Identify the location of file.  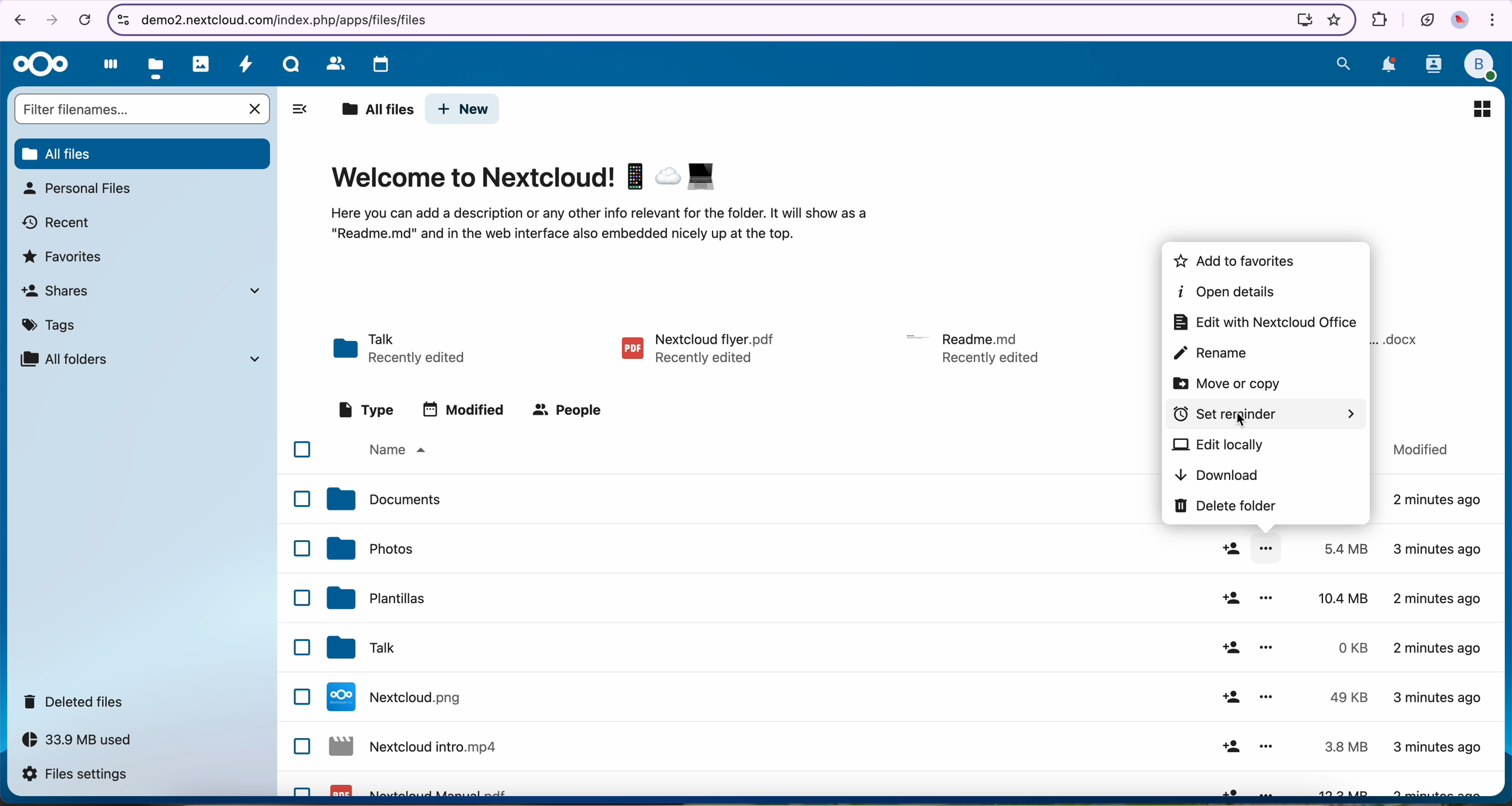
(1405, 348).